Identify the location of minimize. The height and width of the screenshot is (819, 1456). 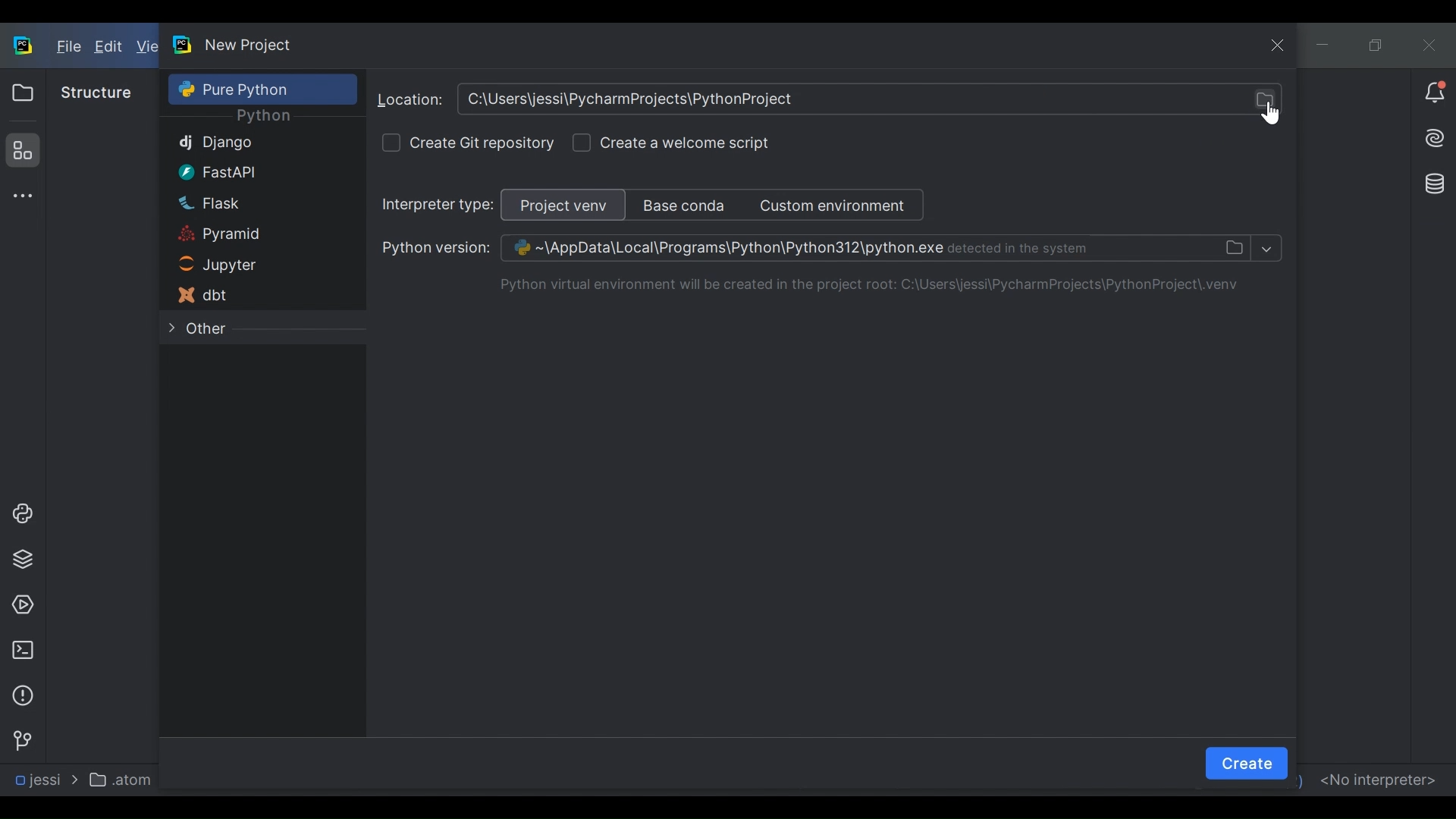
(1325, 45).